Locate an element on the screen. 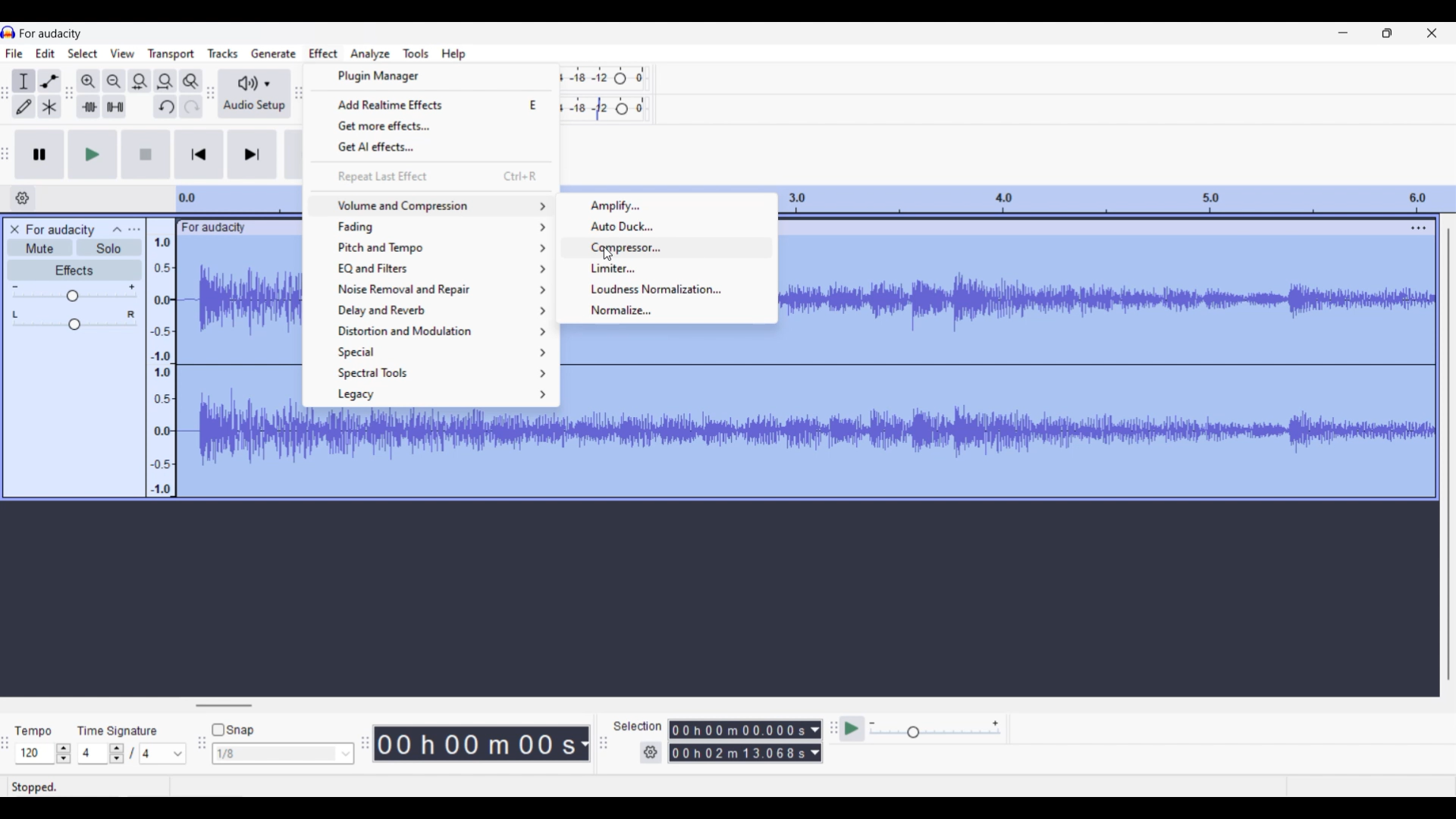 The height and width of the screenshot is (819, 1456). Undo is located at coordinates (165, 106).